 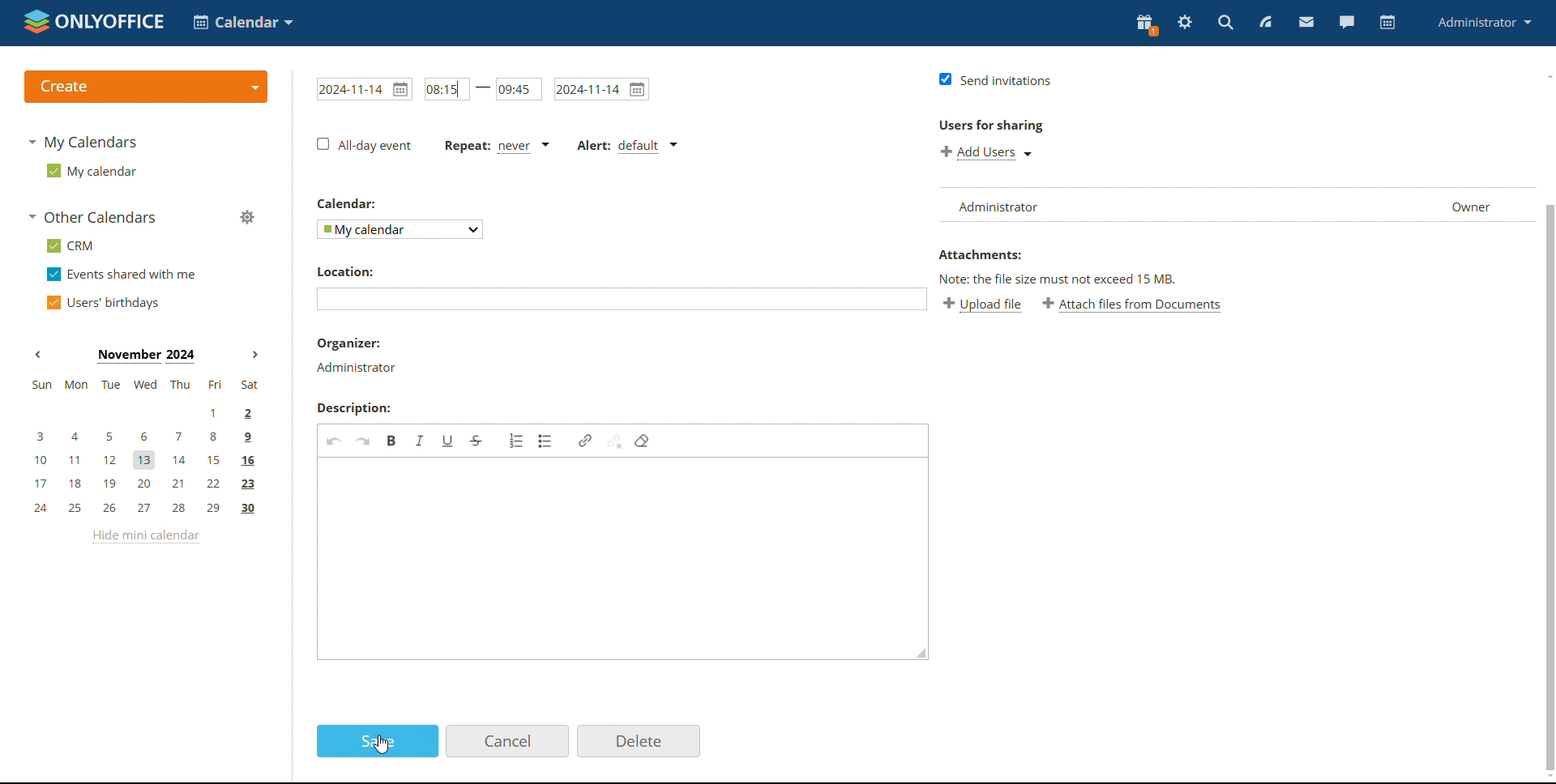 I want to click on attach file from documents, so click(x=1131, y=304).